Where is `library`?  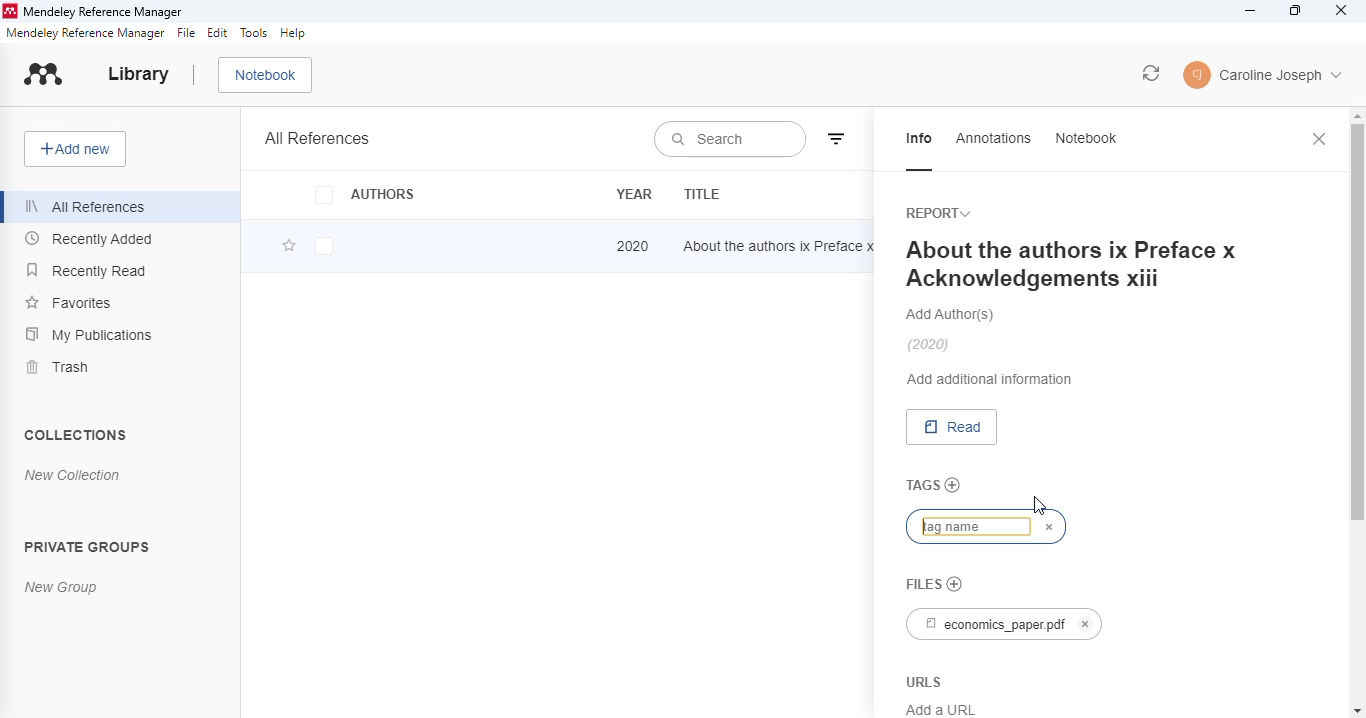
library is located at coordinates (138, 74).